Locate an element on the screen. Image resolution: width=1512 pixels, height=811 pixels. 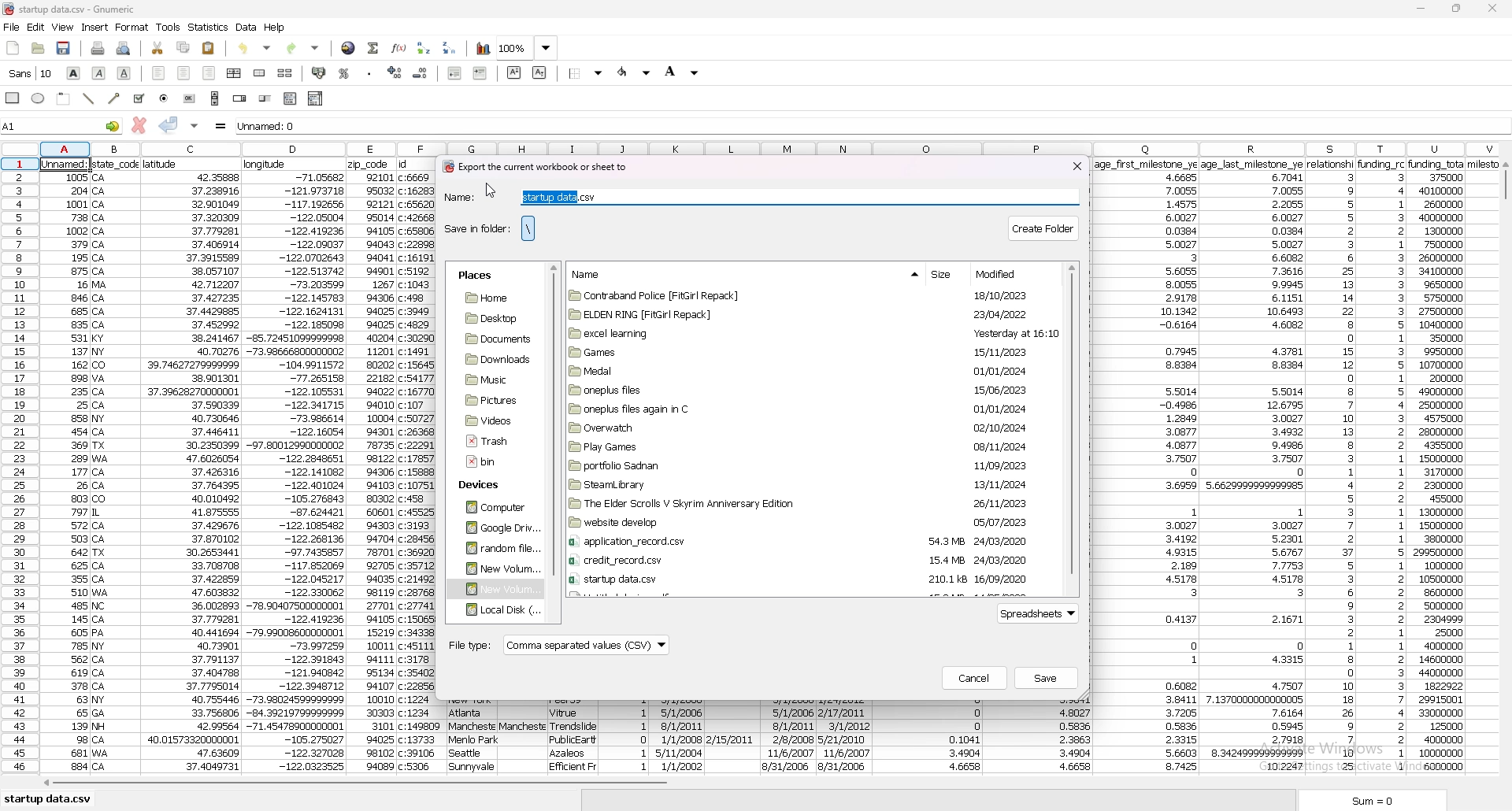
file is located at coordinates (487, 462).